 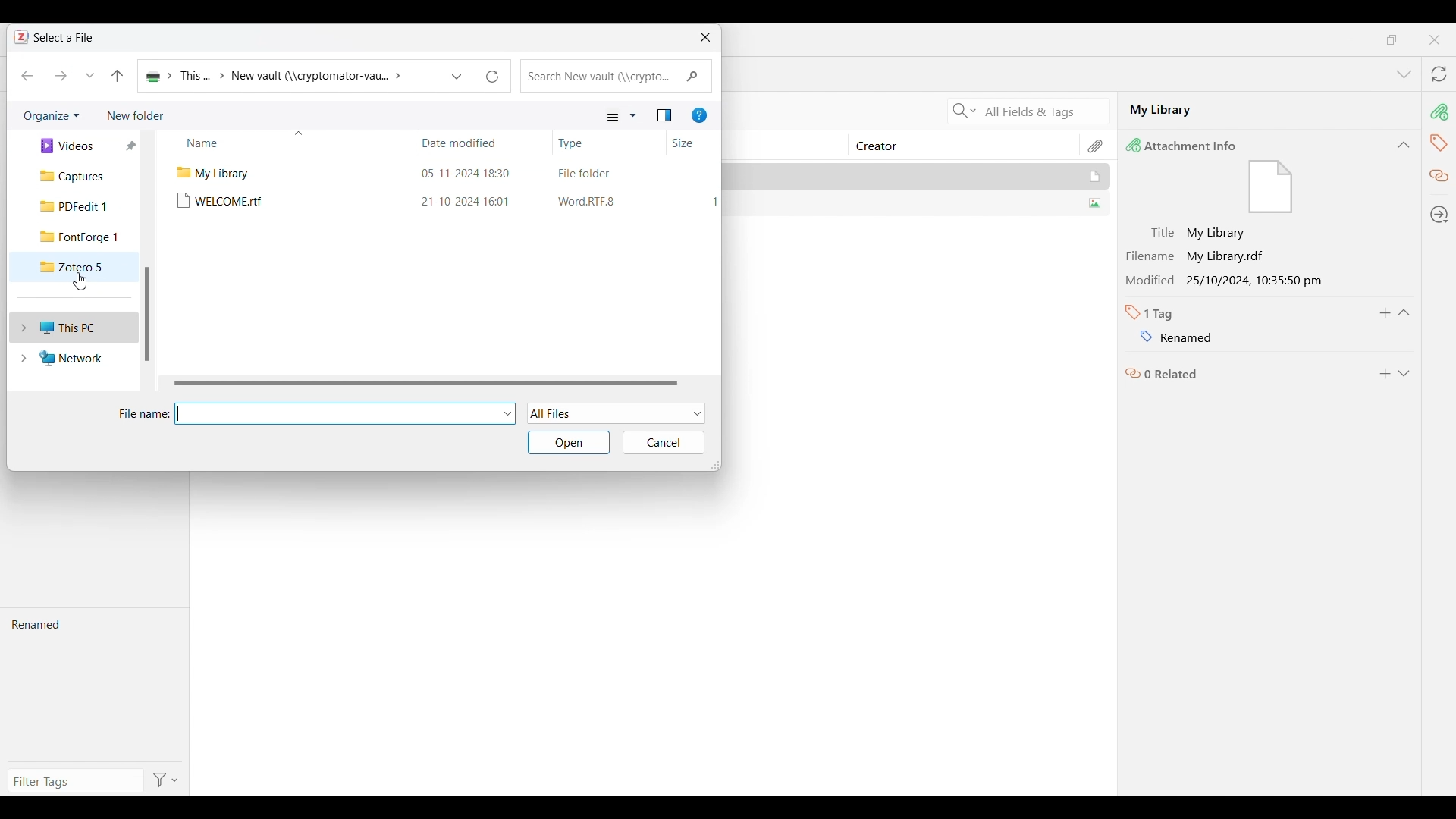 I want to click on Horizontal slide bar, so click(x=427, y=379).